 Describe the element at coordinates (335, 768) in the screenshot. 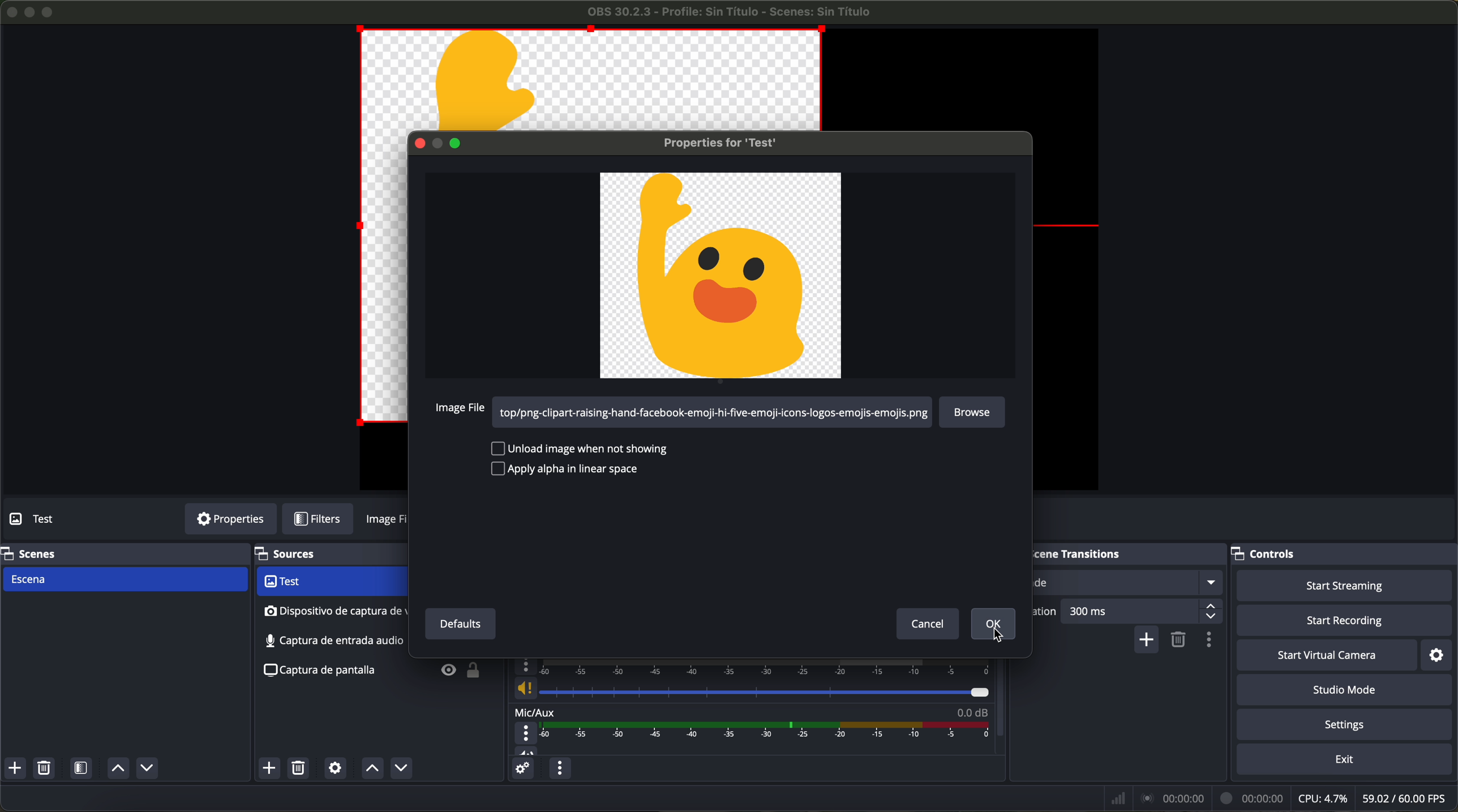

I see `open source properties` at that location.